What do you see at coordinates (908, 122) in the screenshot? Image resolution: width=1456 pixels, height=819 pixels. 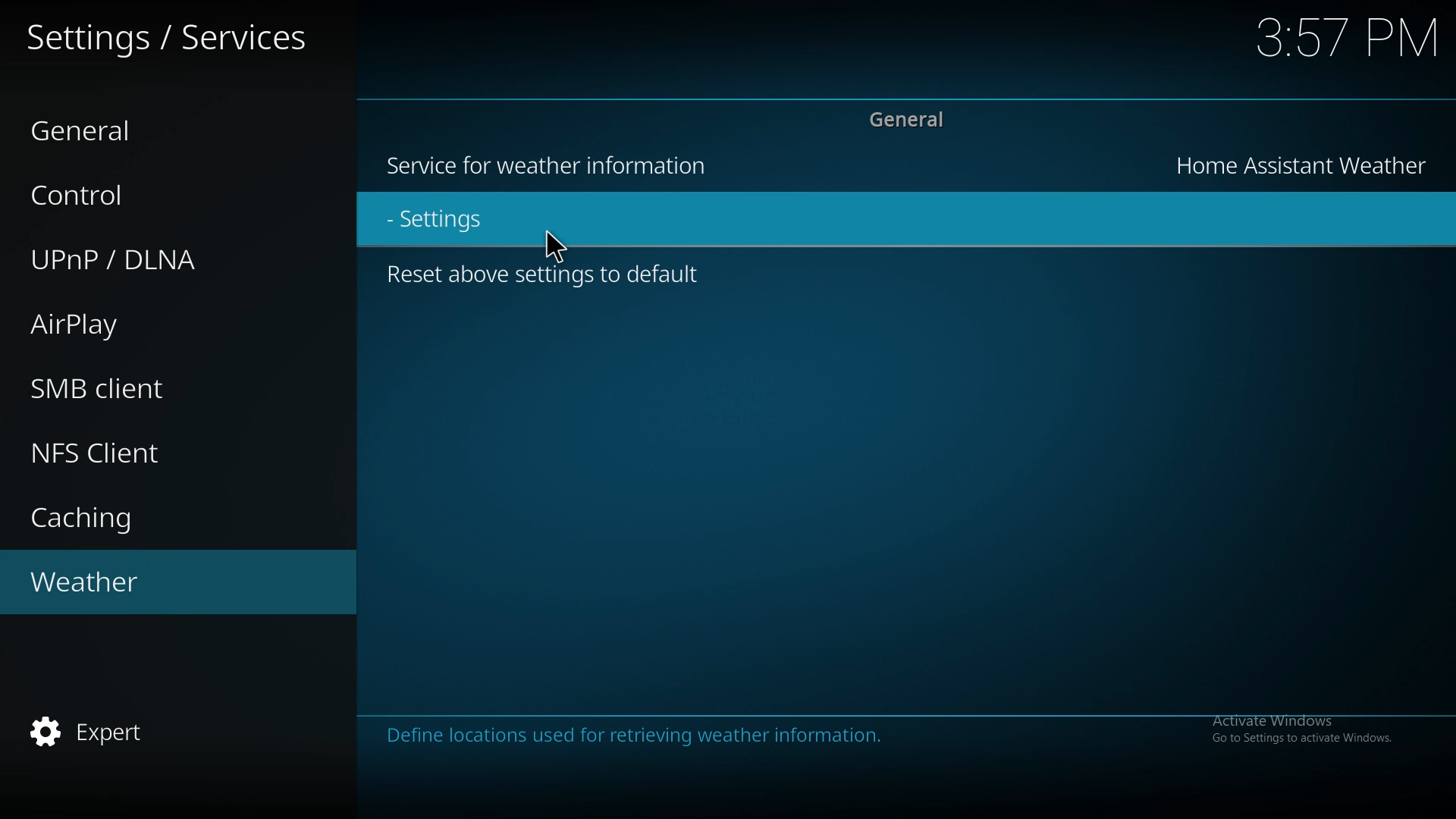 I see `general` at bounding box center [908, 122].